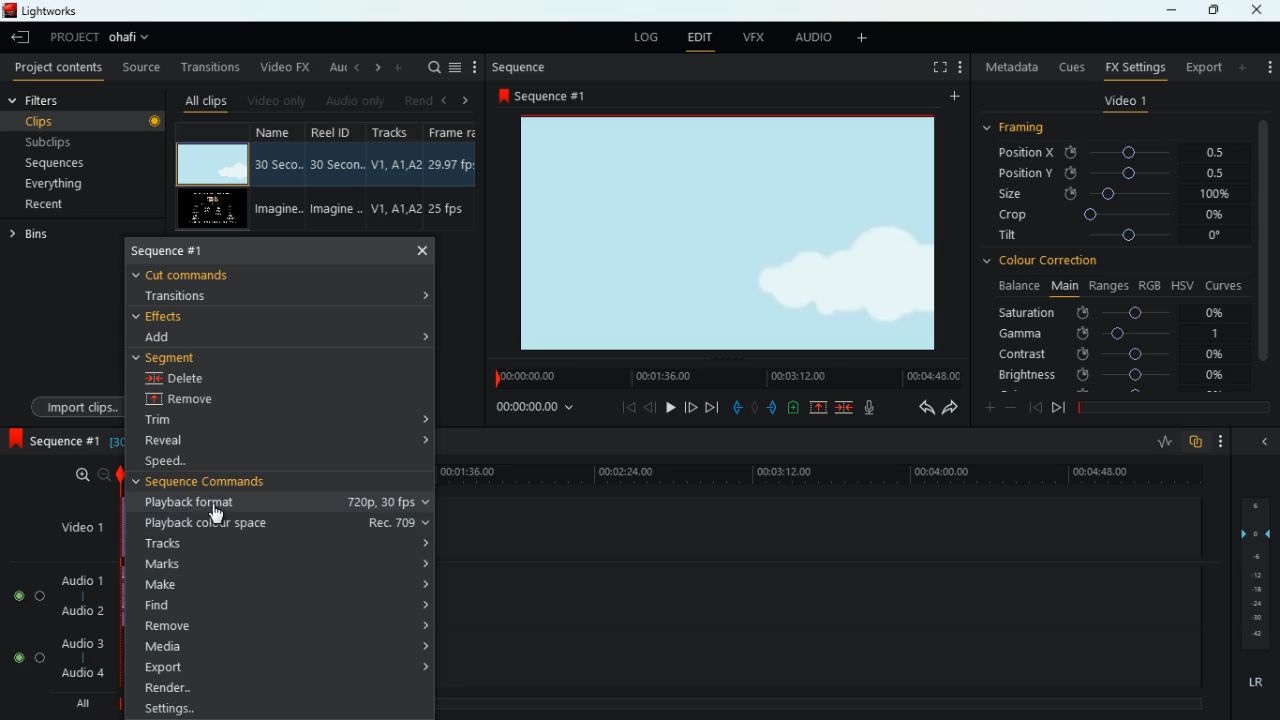 The height and width of the screenshot is (720, 1280). What do you see at coordinates (422, 419) in the screenshot?
I see `expand` at bounding box center [422, 419].